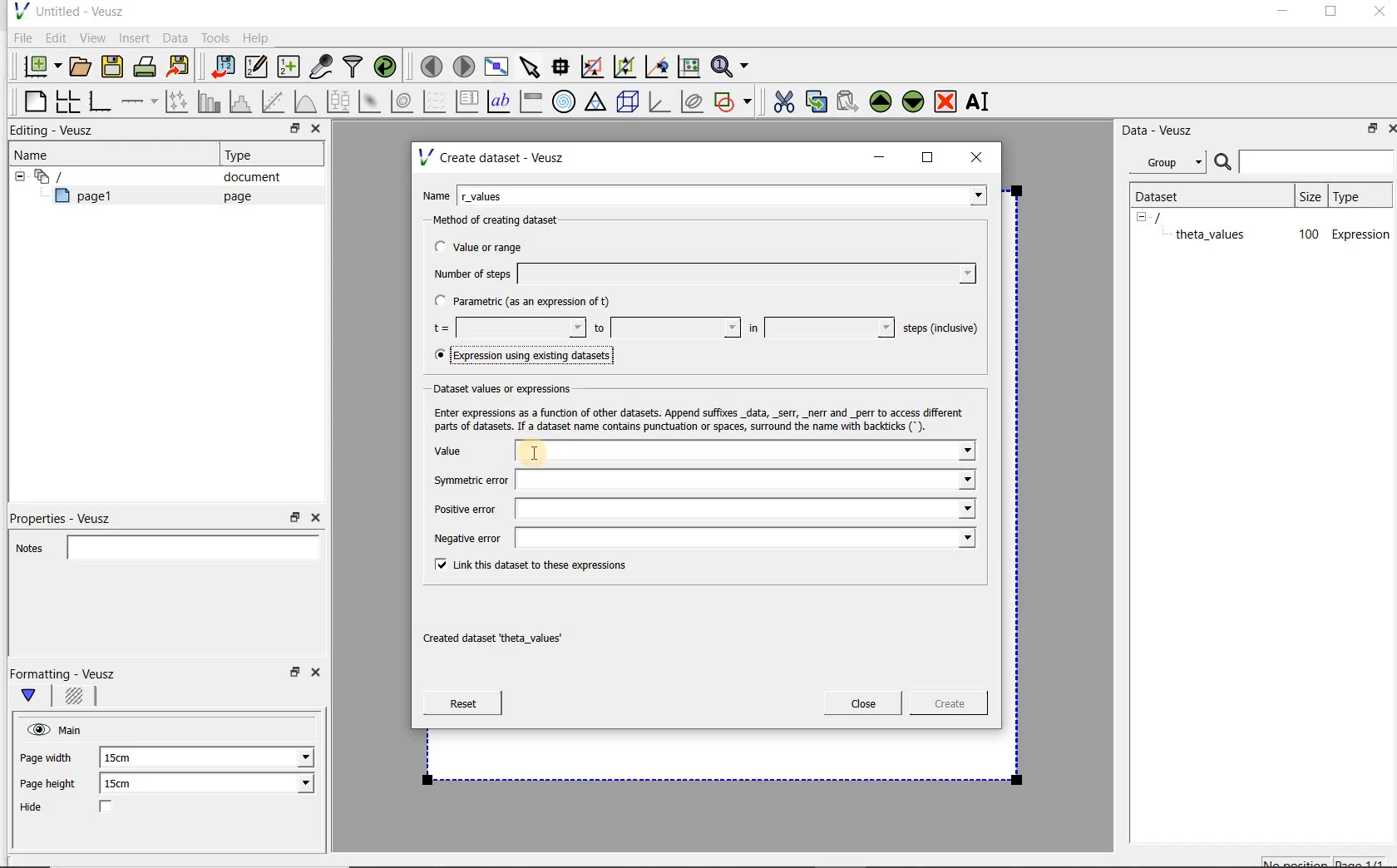 The height and width of the screenshot is (868, 1397). I want to click on Fit a function to data, so click(275, 101).